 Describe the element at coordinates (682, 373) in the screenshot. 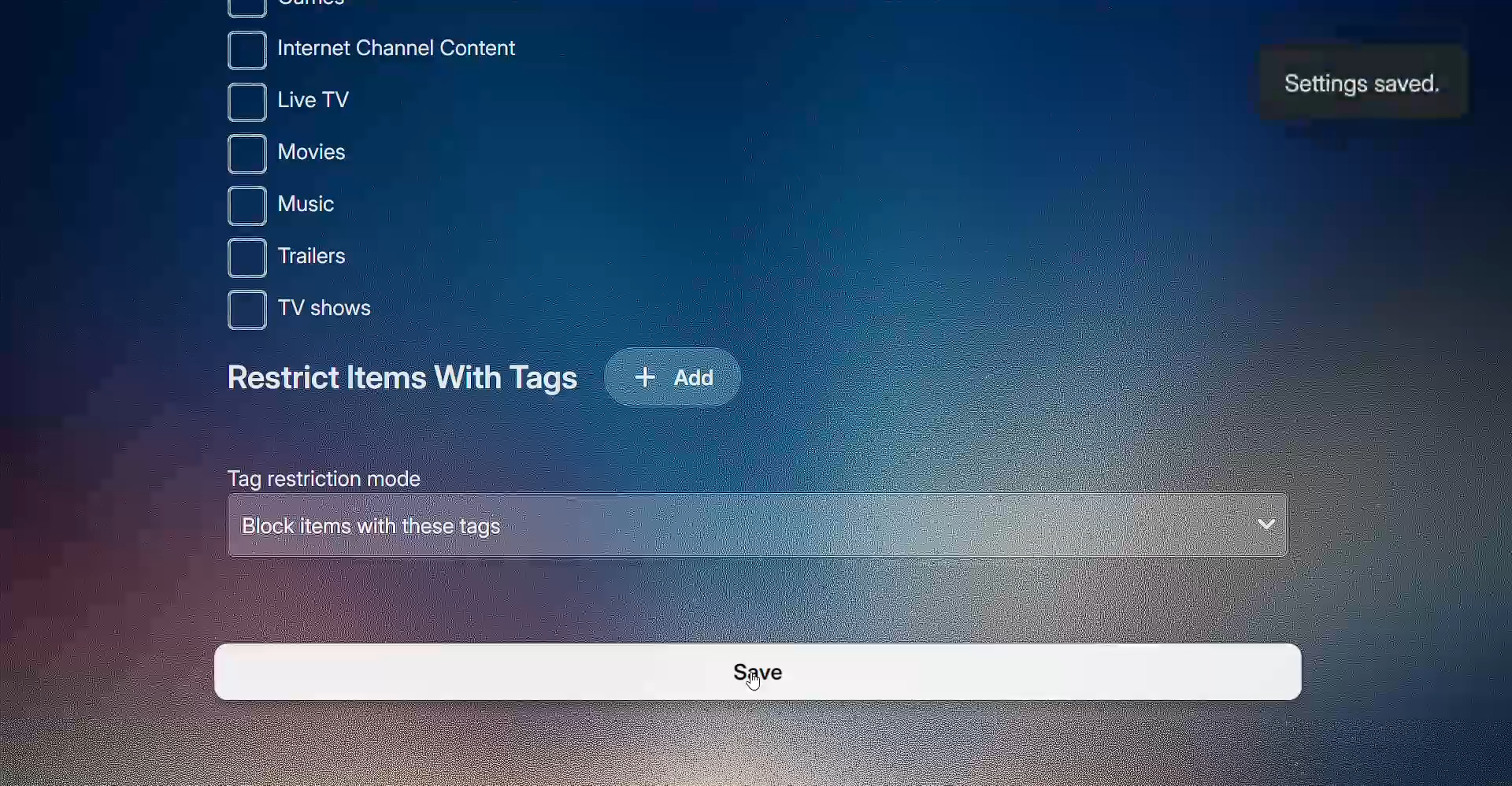

I see `Add` at that location.